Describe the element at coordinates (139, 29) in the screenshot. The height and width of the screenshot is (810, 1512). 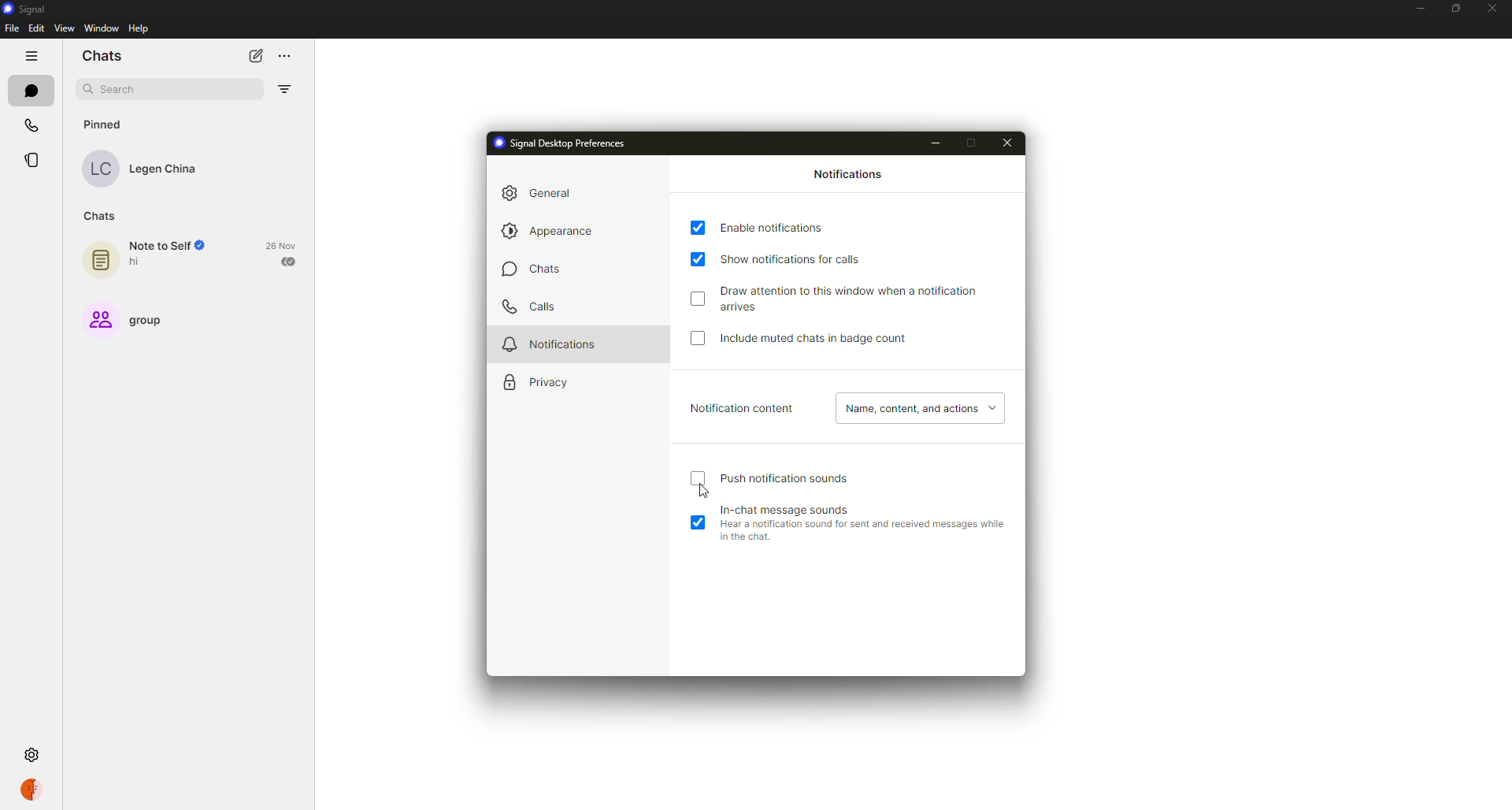
I see `help` at that location.